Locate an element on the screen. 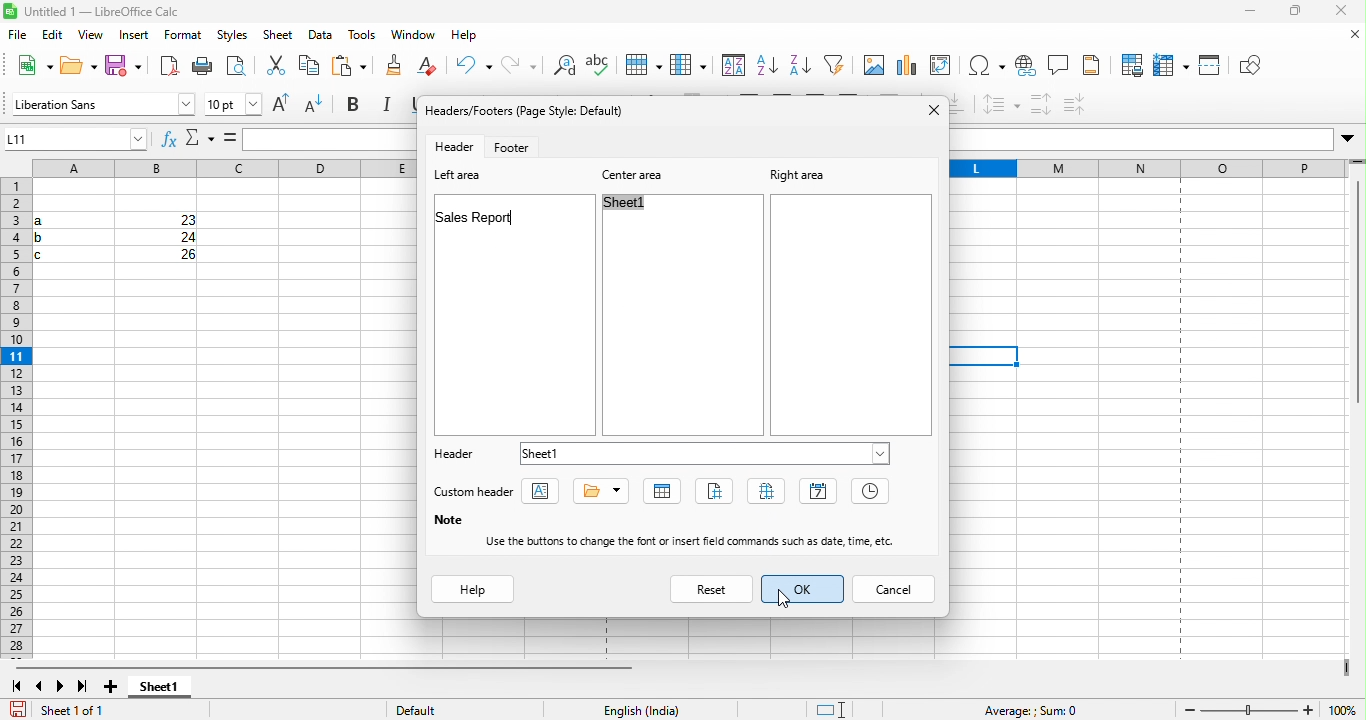 This screenshot has width=1366, height=720. image is located at coordinates (835, 66).